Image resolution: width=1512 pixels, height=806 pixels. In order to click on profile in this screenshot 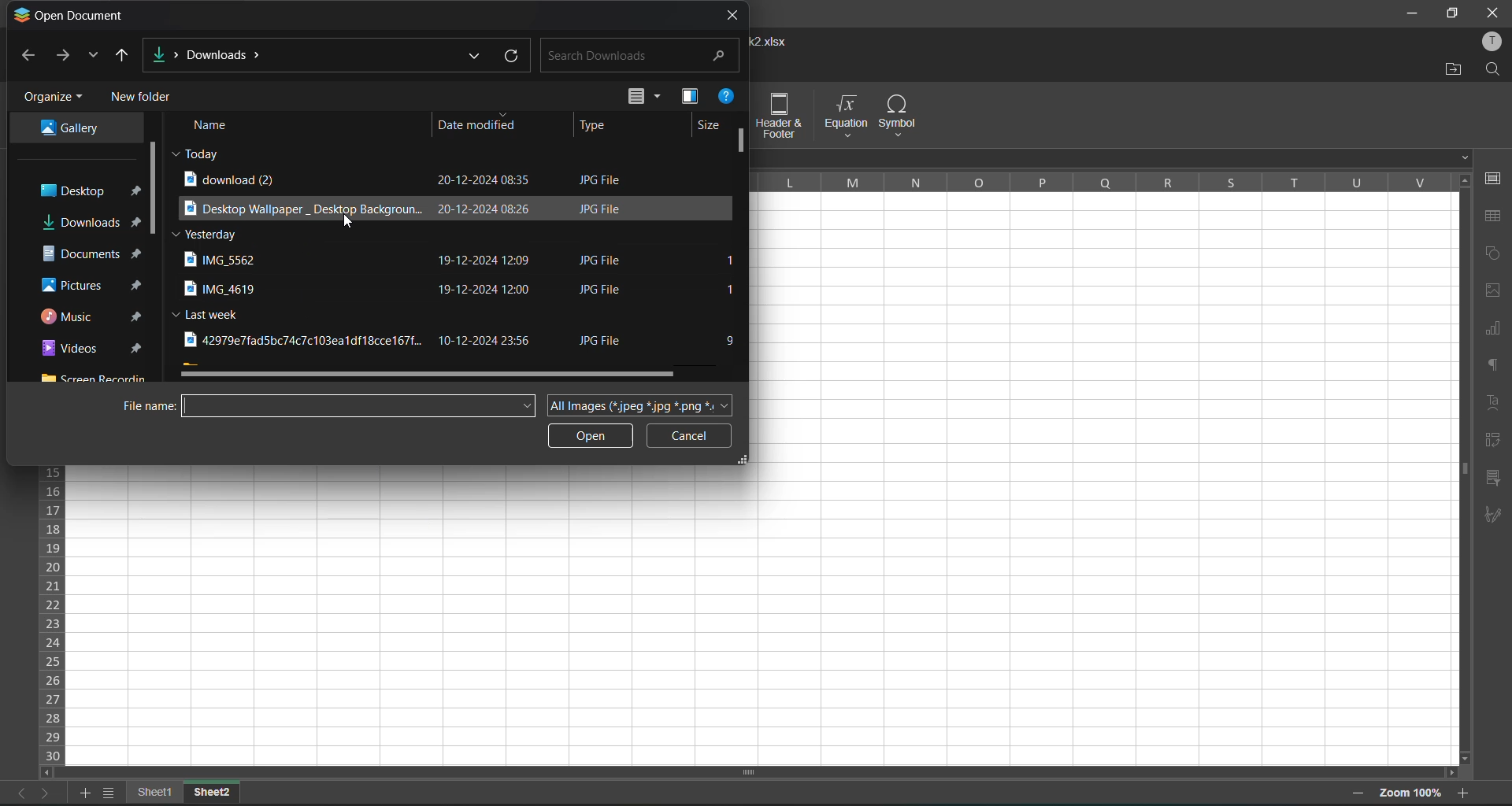, I will do `click(1493, 40)`.